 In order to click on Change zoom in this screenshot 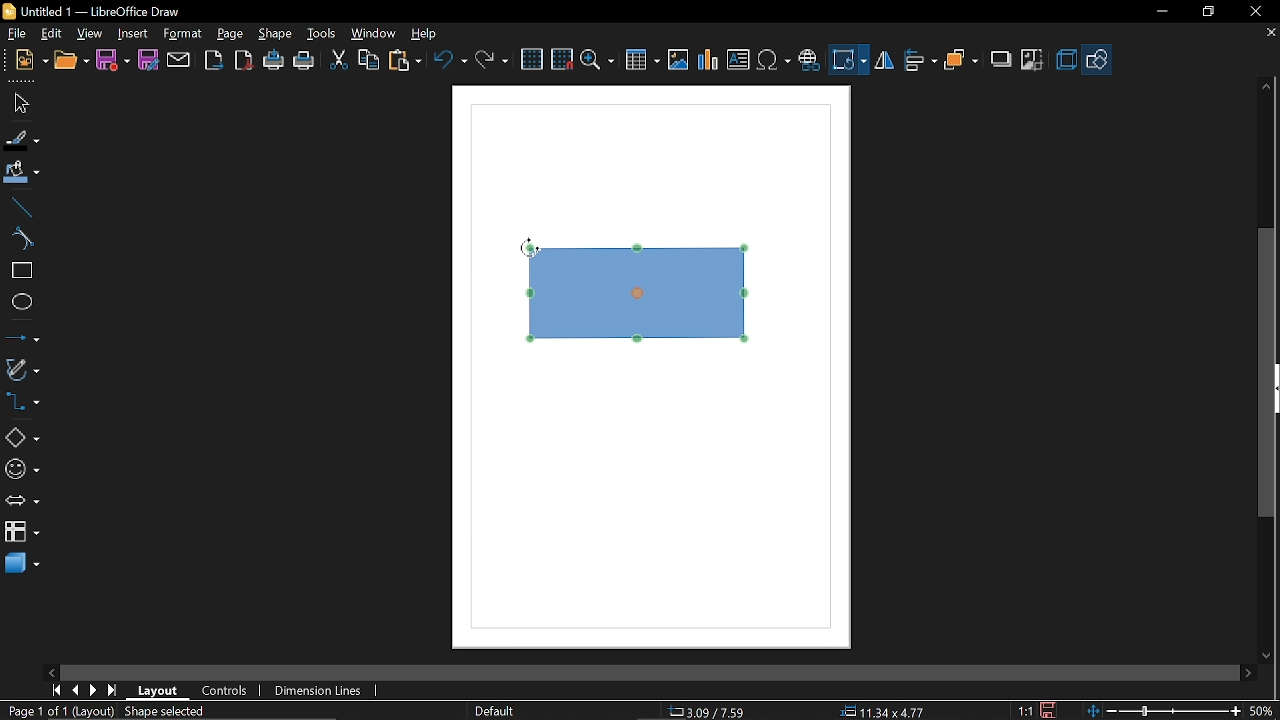, I will do `click(1161, 710)`.